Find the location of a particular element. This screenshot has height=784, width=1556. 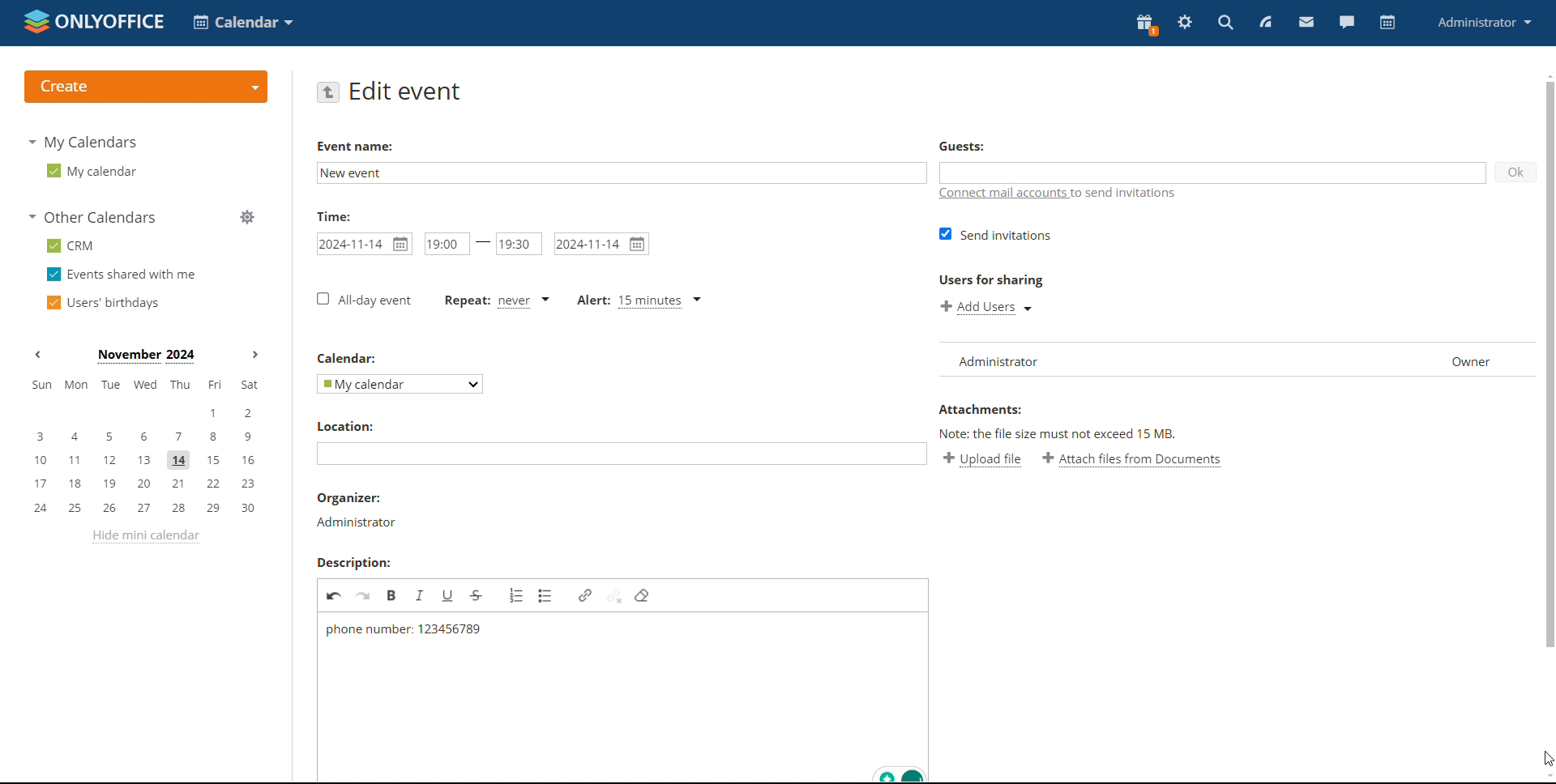

unlink is located at coordinates (614, 595).